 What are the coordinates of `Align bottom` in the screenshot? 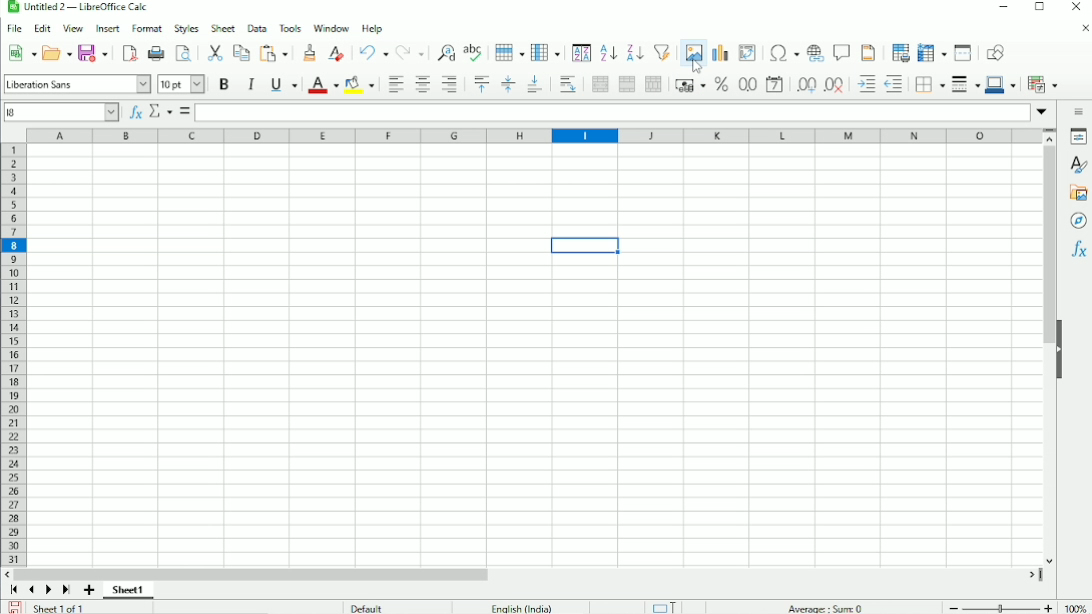 It's located at (534, 84).